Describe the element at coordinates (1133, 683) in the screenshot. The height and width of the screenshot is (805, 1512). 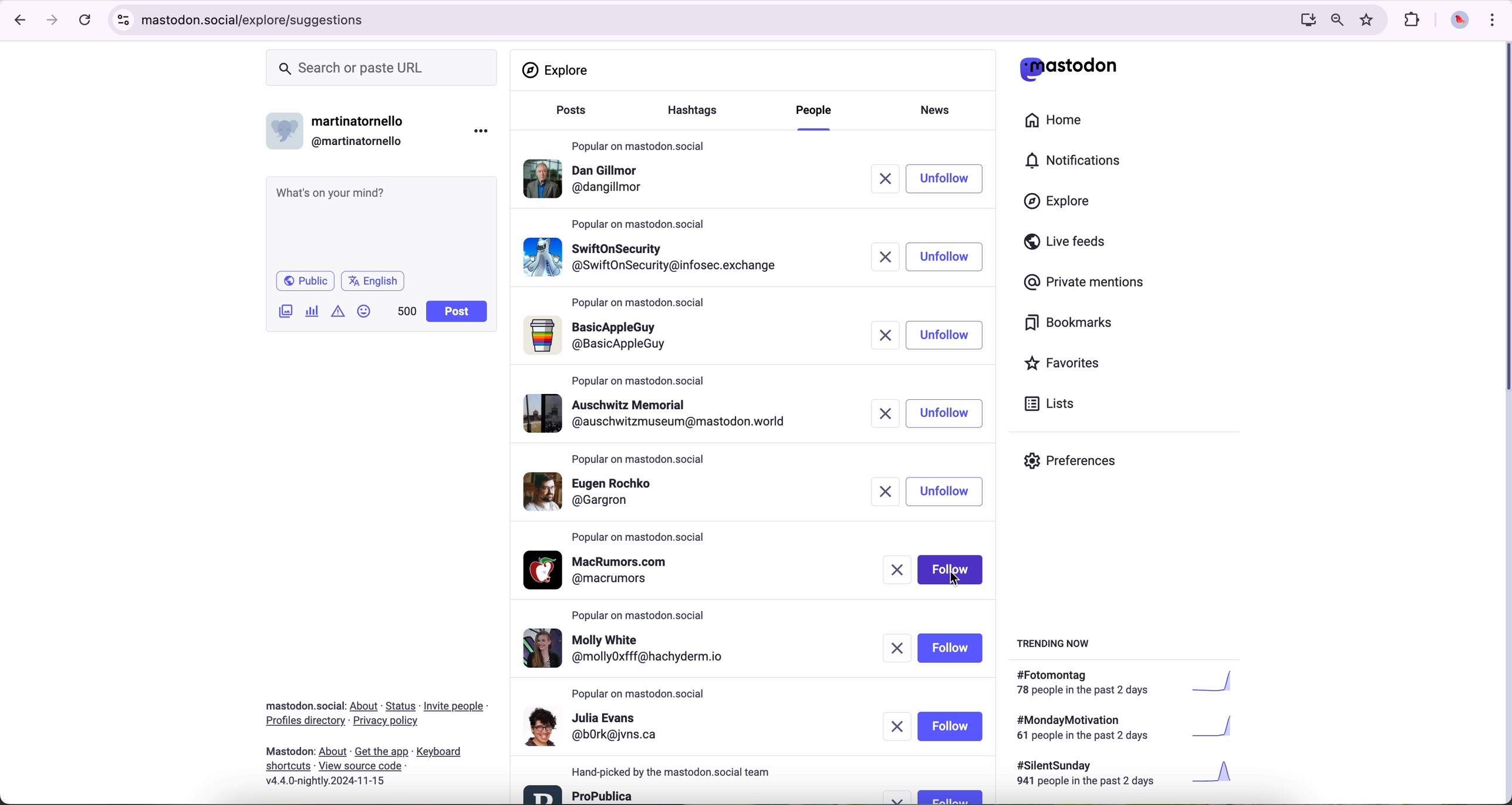
I see `#fotomontag` at that location.